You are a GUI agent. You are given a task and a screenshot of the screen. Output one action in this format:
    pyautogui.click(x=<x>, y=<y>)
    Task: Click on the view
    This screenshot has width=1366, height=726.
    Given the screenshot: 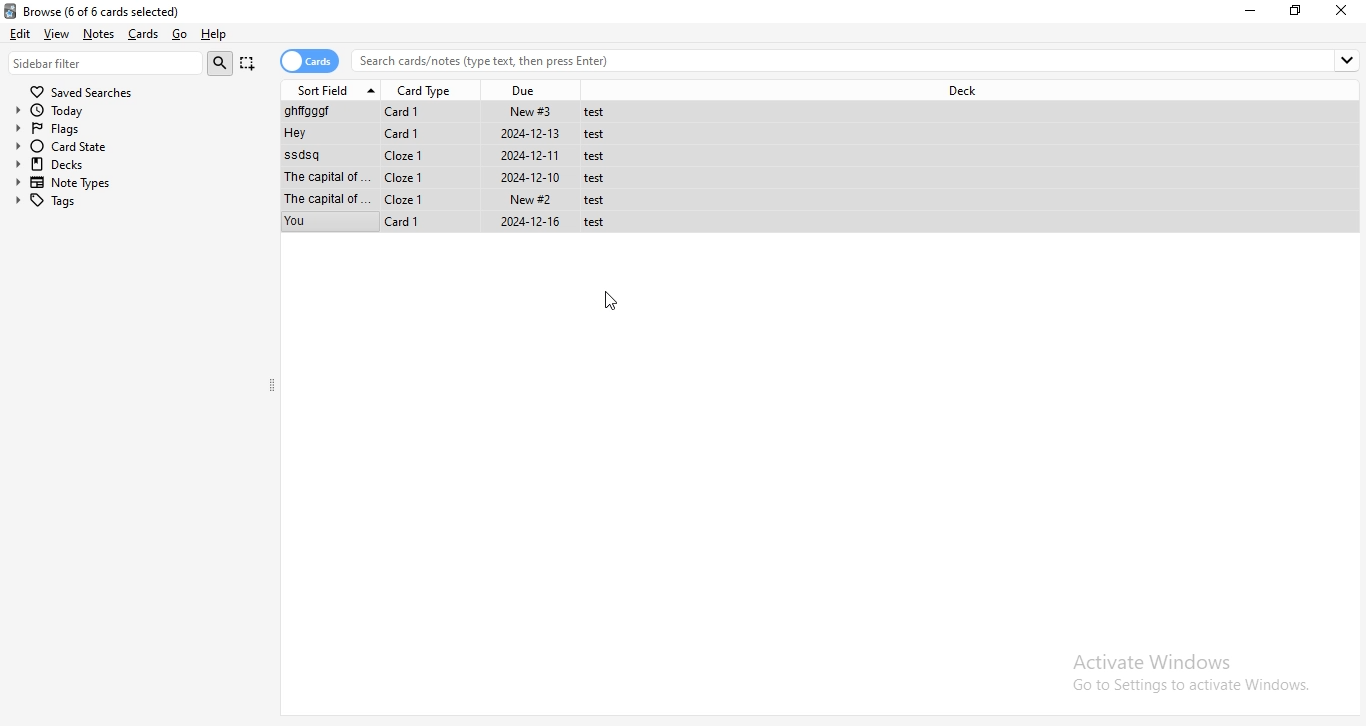 What is the action you would take?
    pyautogui.click(x=58, y=33)
    